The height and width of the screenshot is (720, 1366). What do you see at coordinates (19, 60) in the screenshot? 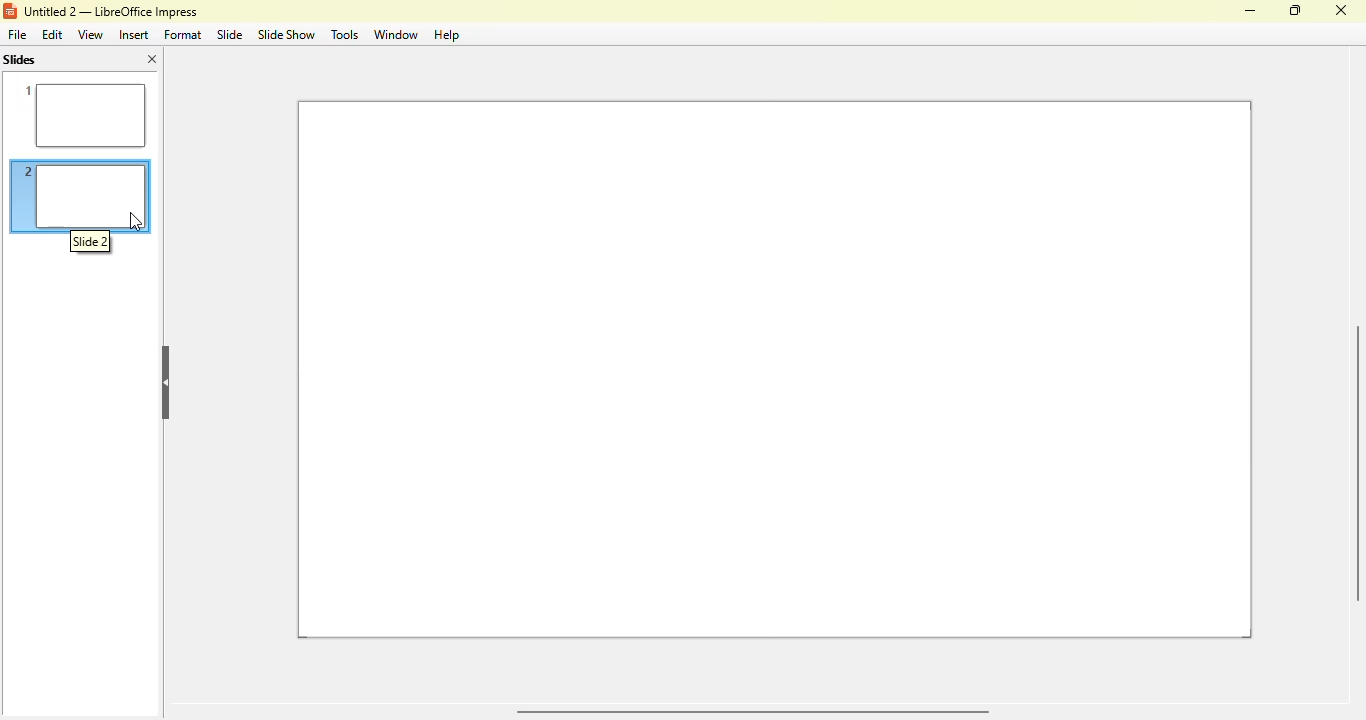
I see `slides` at bounding box center [19, 60].